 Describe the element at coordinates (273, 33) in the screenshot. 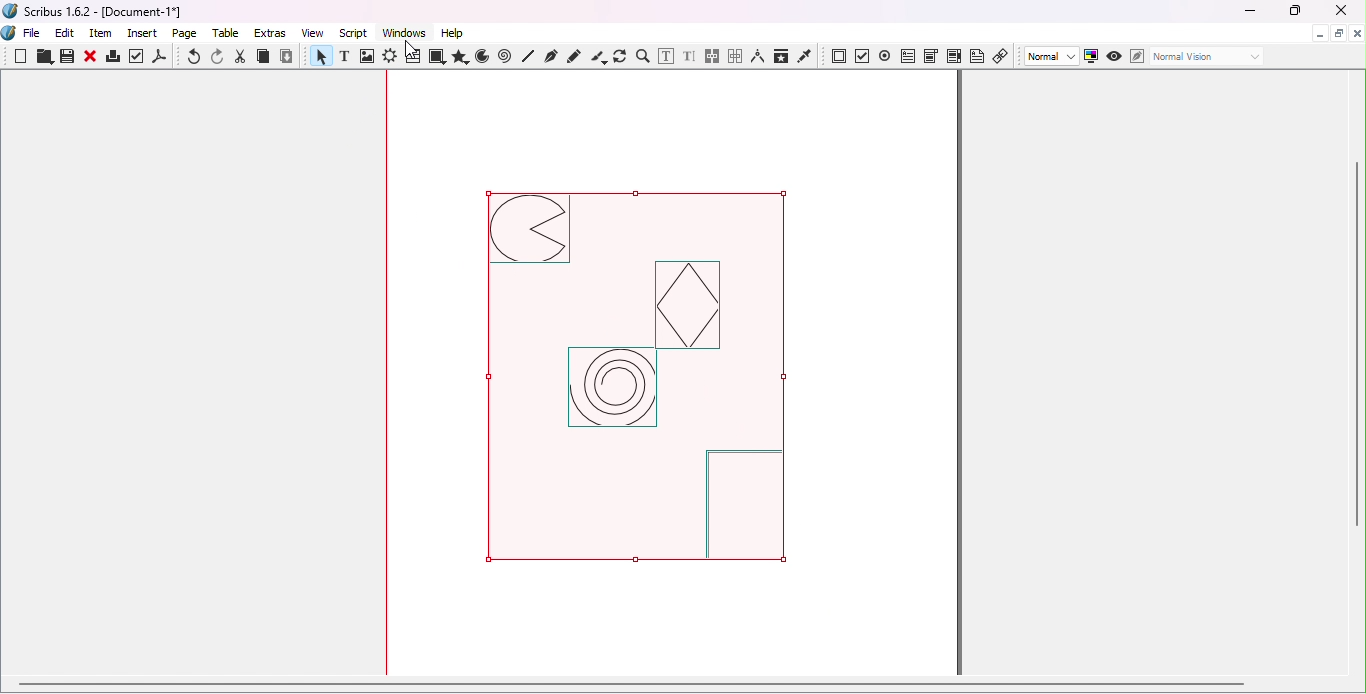

I see `Extras` at that location.